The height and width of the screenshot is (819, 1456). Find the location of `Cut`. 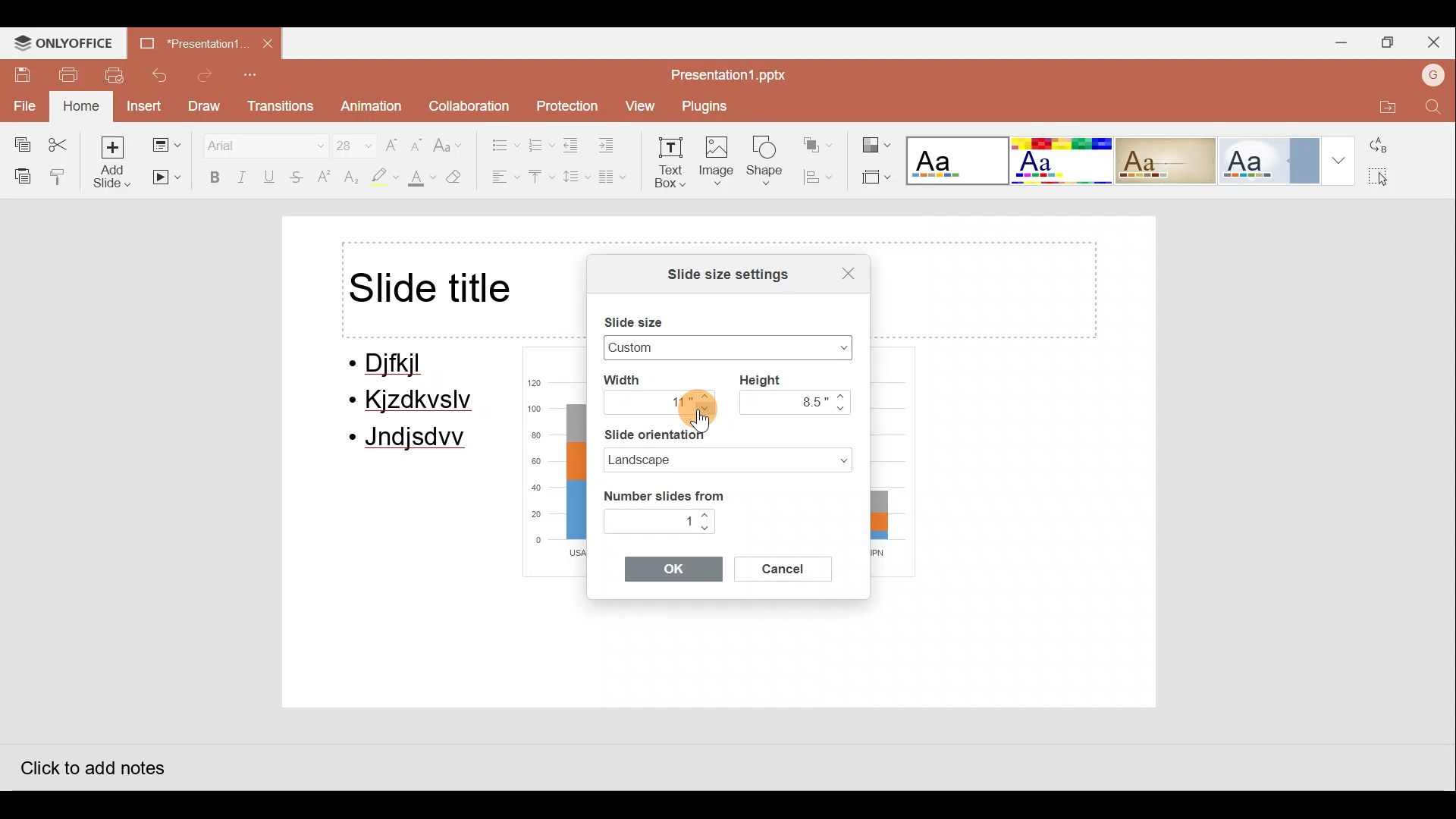

Cut is located at coordinates (62, 141).